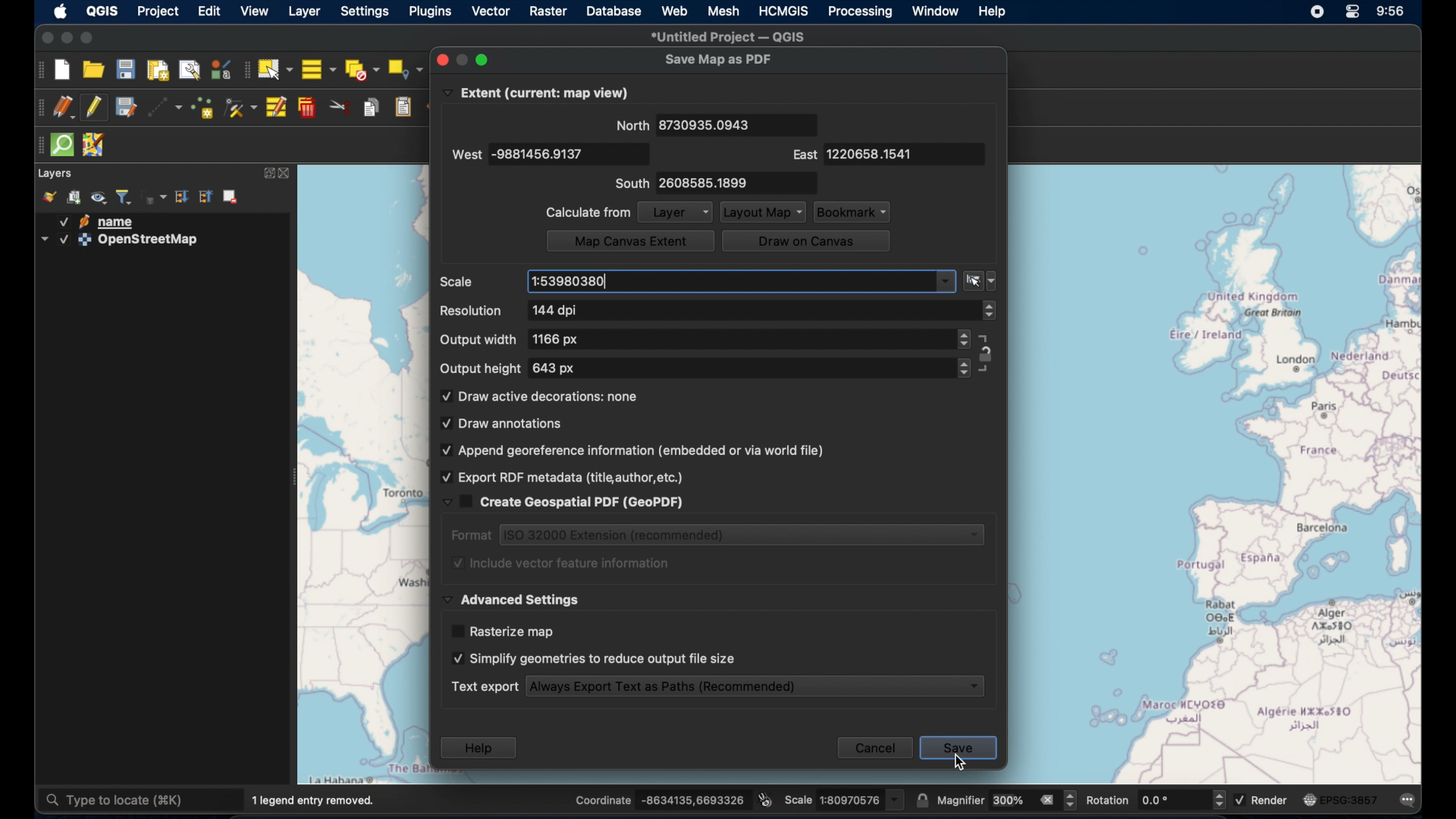 The width and height of the screenshot is (1456, 819). Describe the element at coordinates (46, 38) in the screenshot. I see `close` at that location.